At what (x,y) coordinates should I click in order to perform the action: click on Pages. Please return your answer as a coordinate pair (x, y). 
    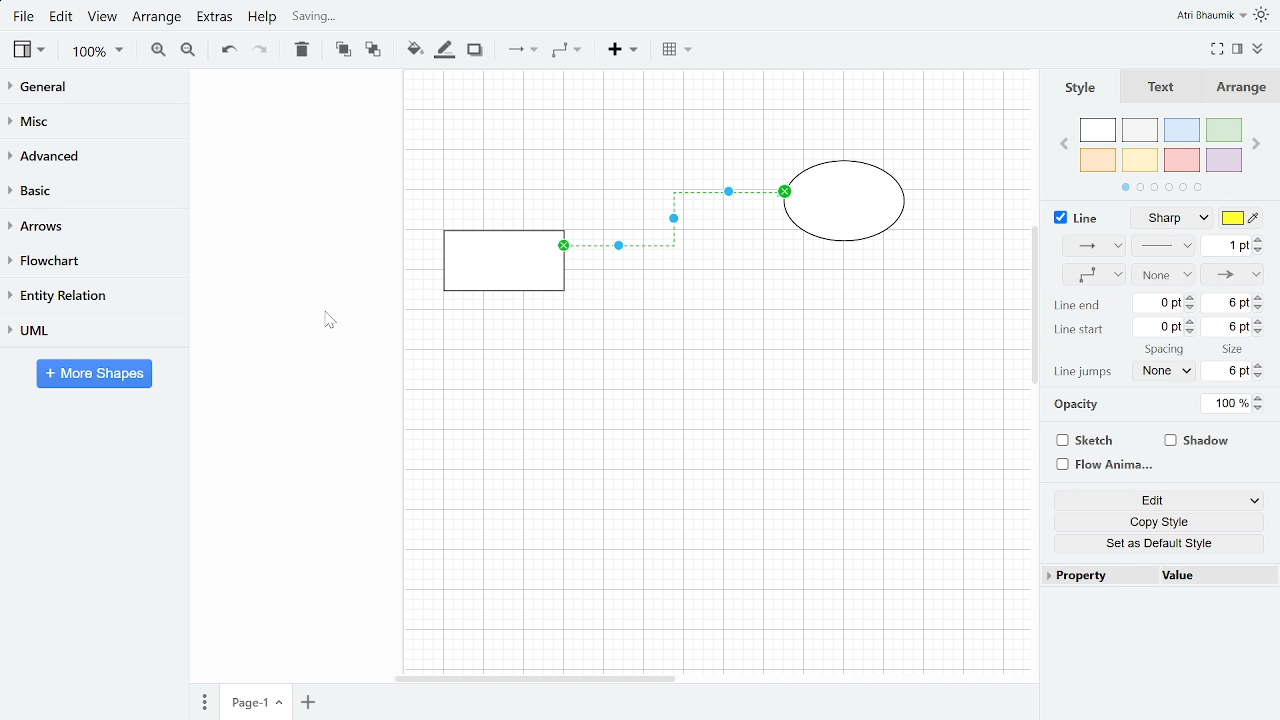
    Looking at the image, I should click on (203, 702).